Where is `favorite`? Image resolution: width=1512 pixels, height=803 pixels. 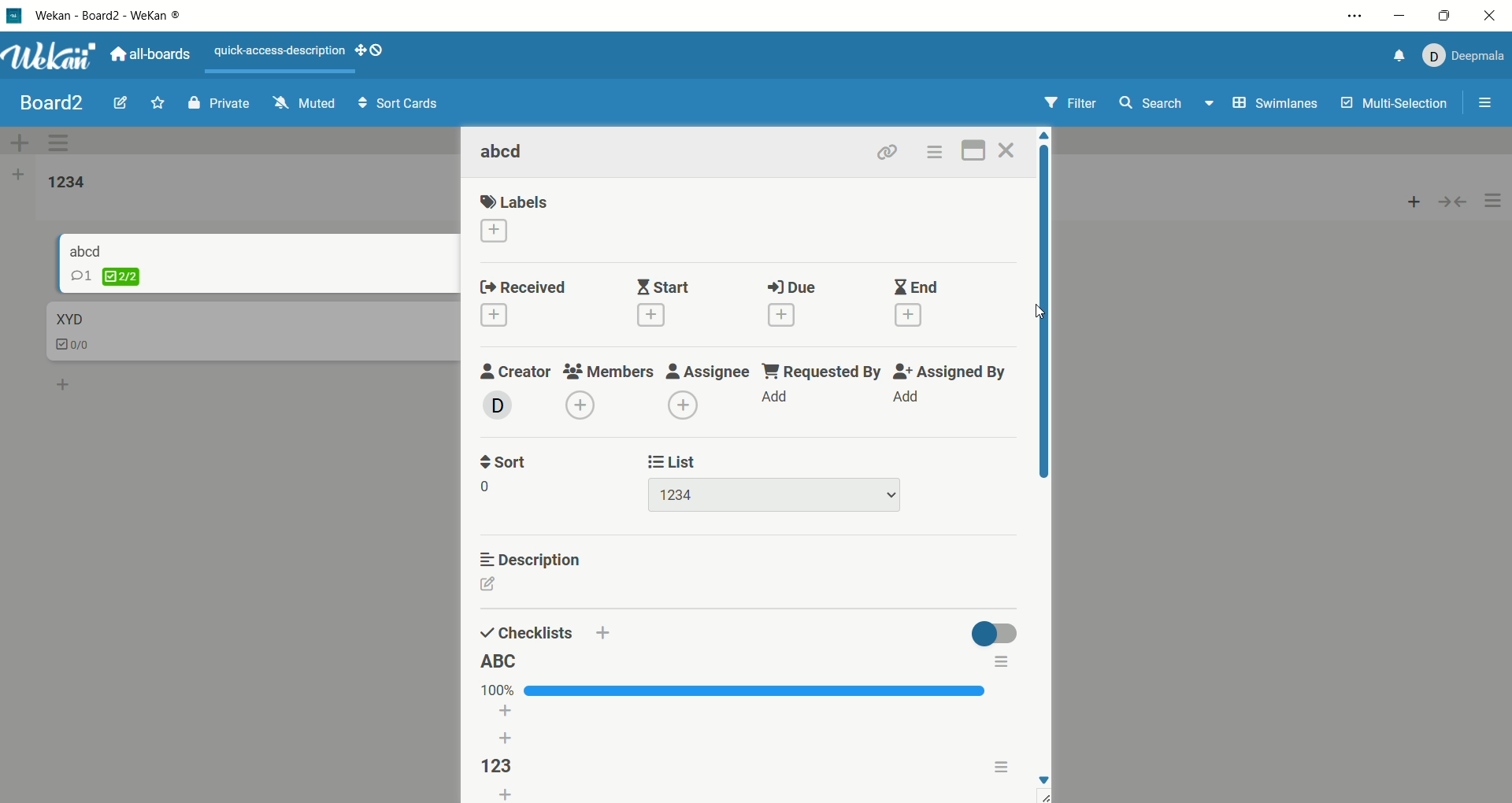
favorite is located at coordinates (159, 102).